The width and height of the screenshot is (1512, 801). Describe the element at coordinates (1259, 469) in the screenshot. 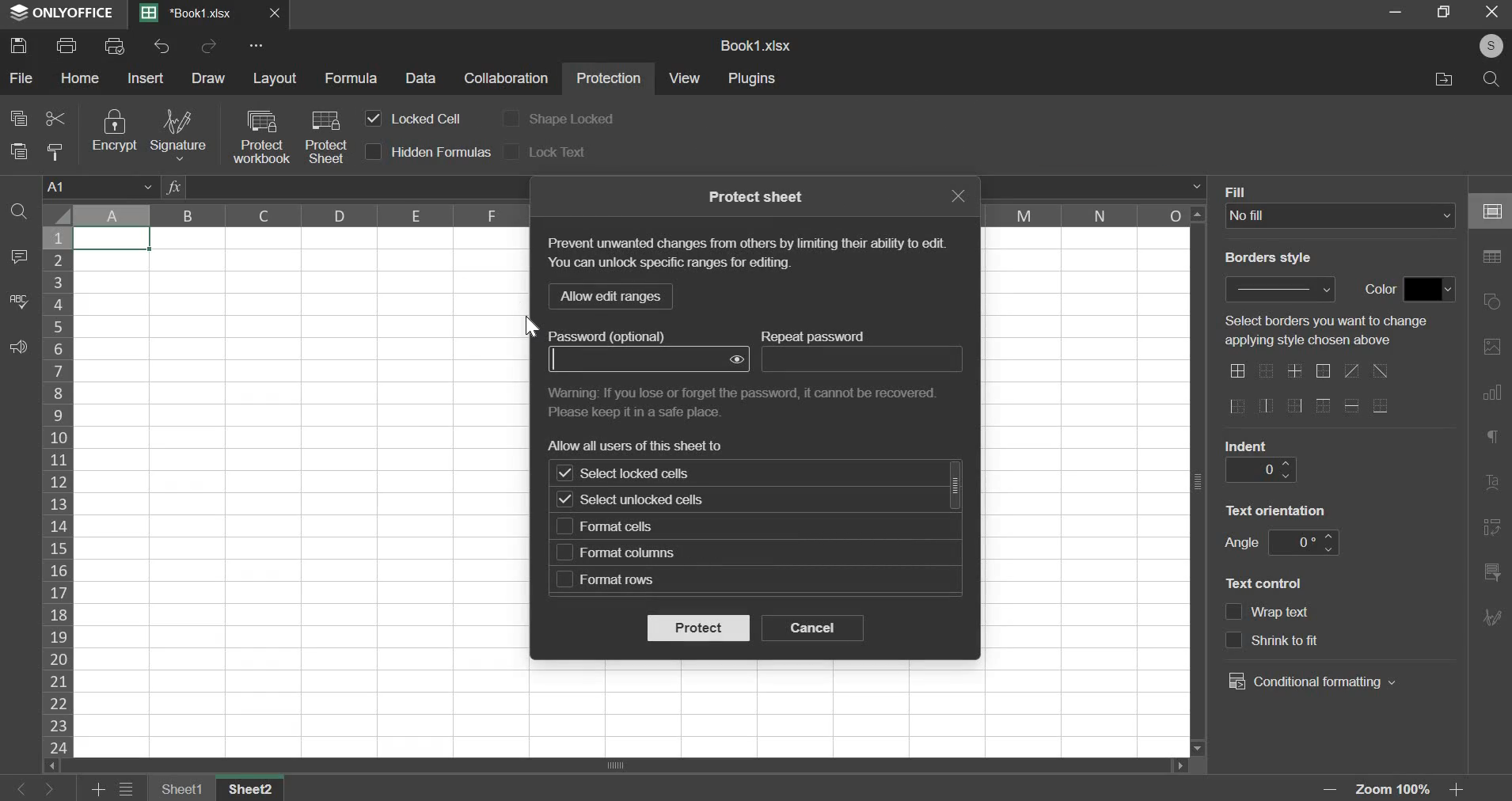

I see `indent` at that location.